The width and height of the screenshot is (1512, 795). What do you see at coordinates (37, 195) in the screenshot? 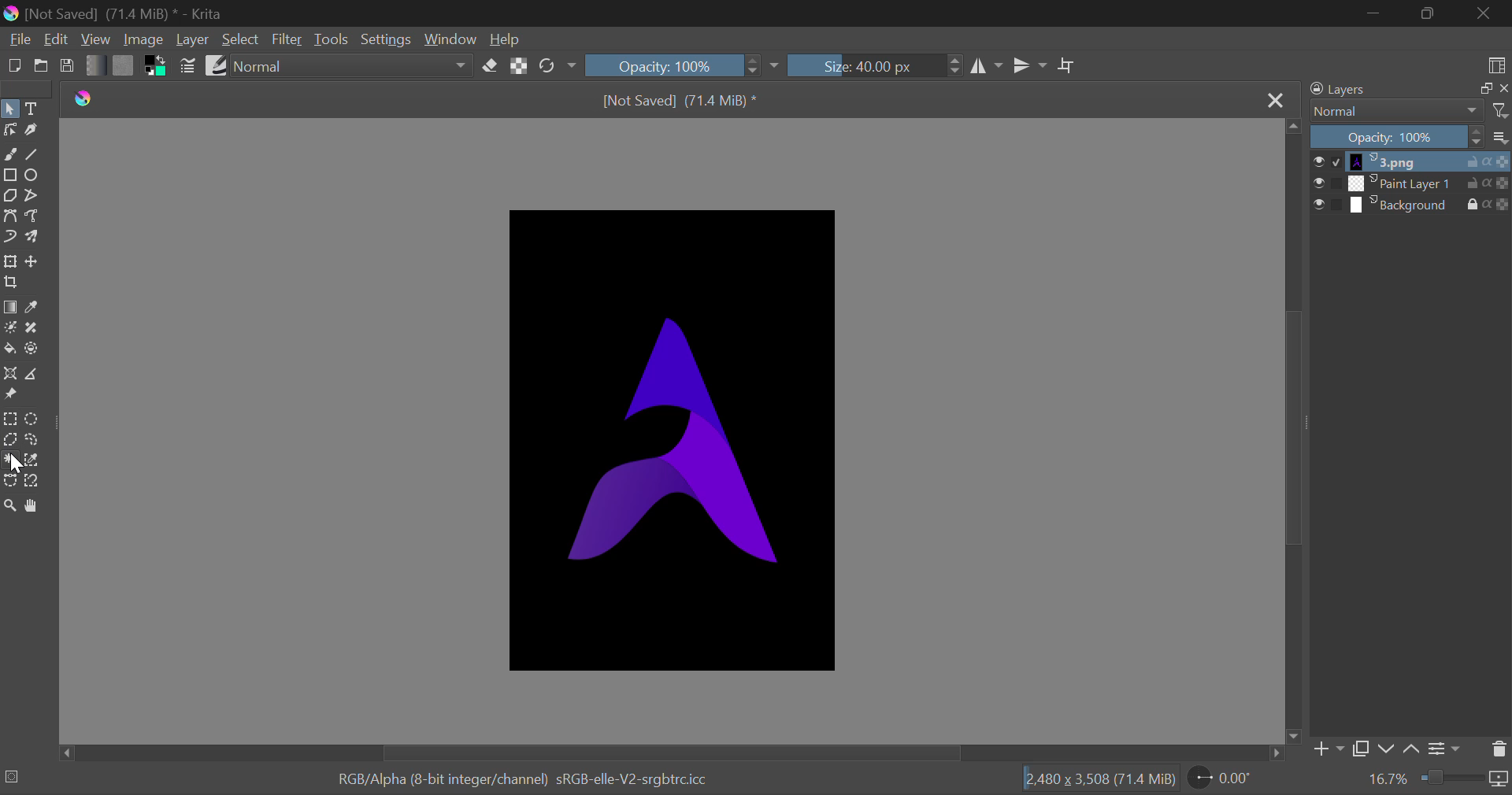
I see `Polyline` at bounding box center [37, 195].